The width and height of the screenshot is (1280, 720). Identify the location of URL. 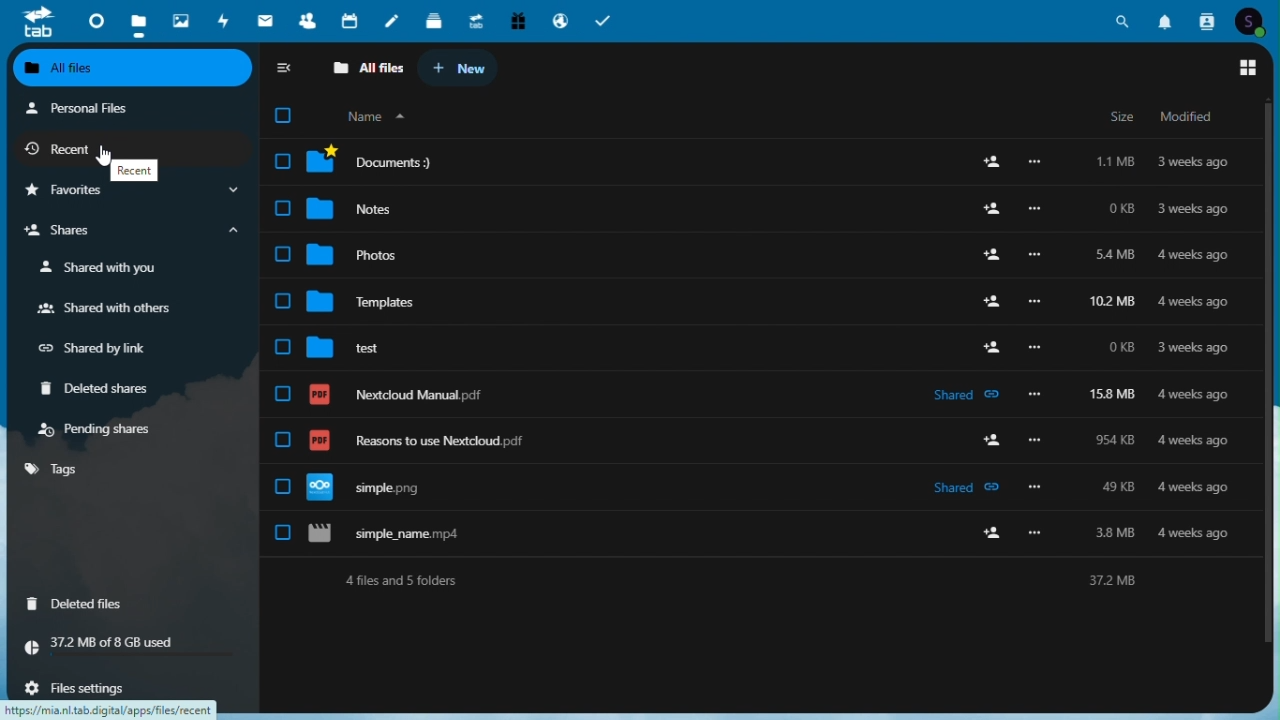
(118, 709).